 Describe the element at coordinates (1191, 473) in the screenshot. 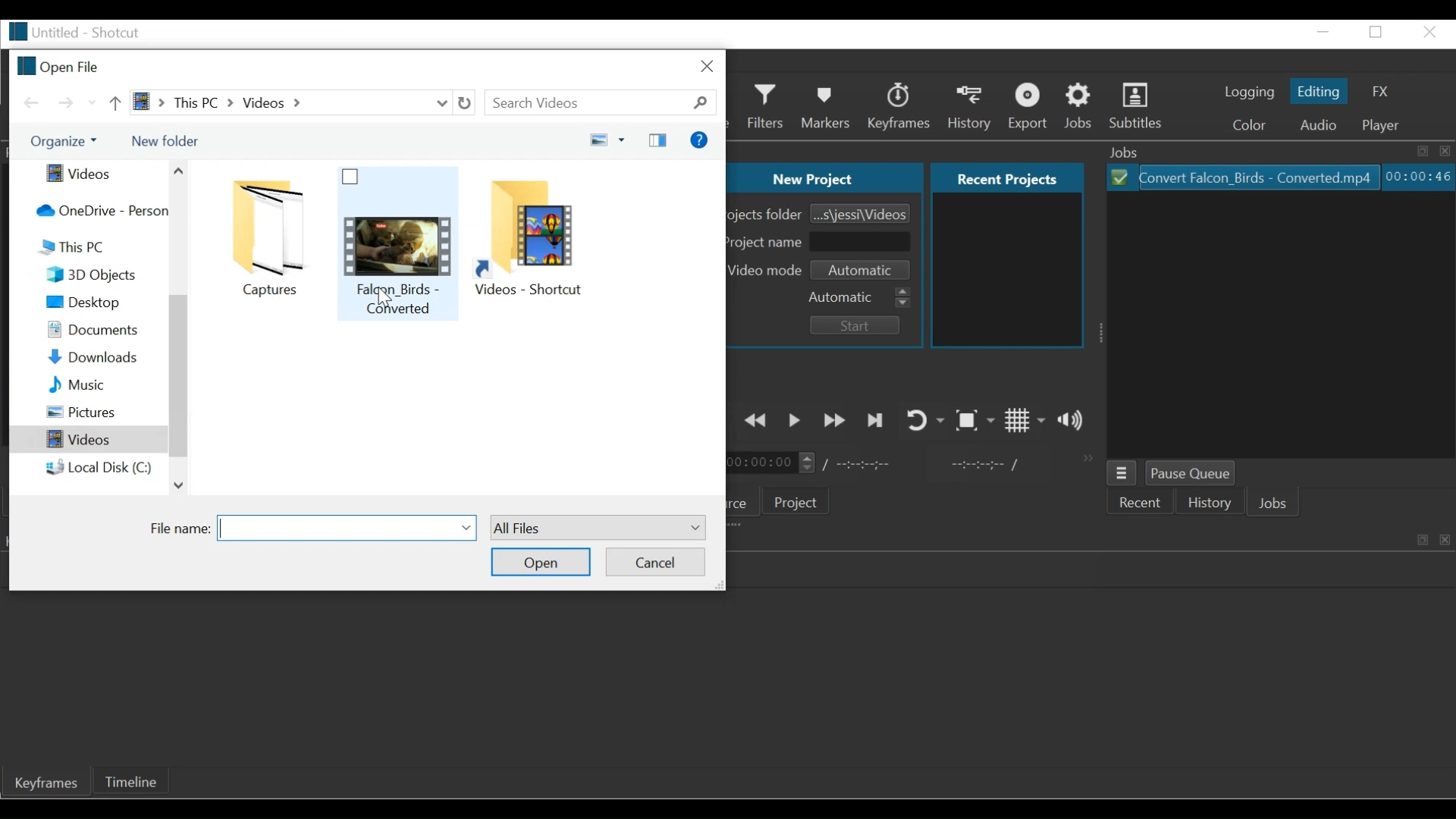

I see `Pause Queue` at that location.